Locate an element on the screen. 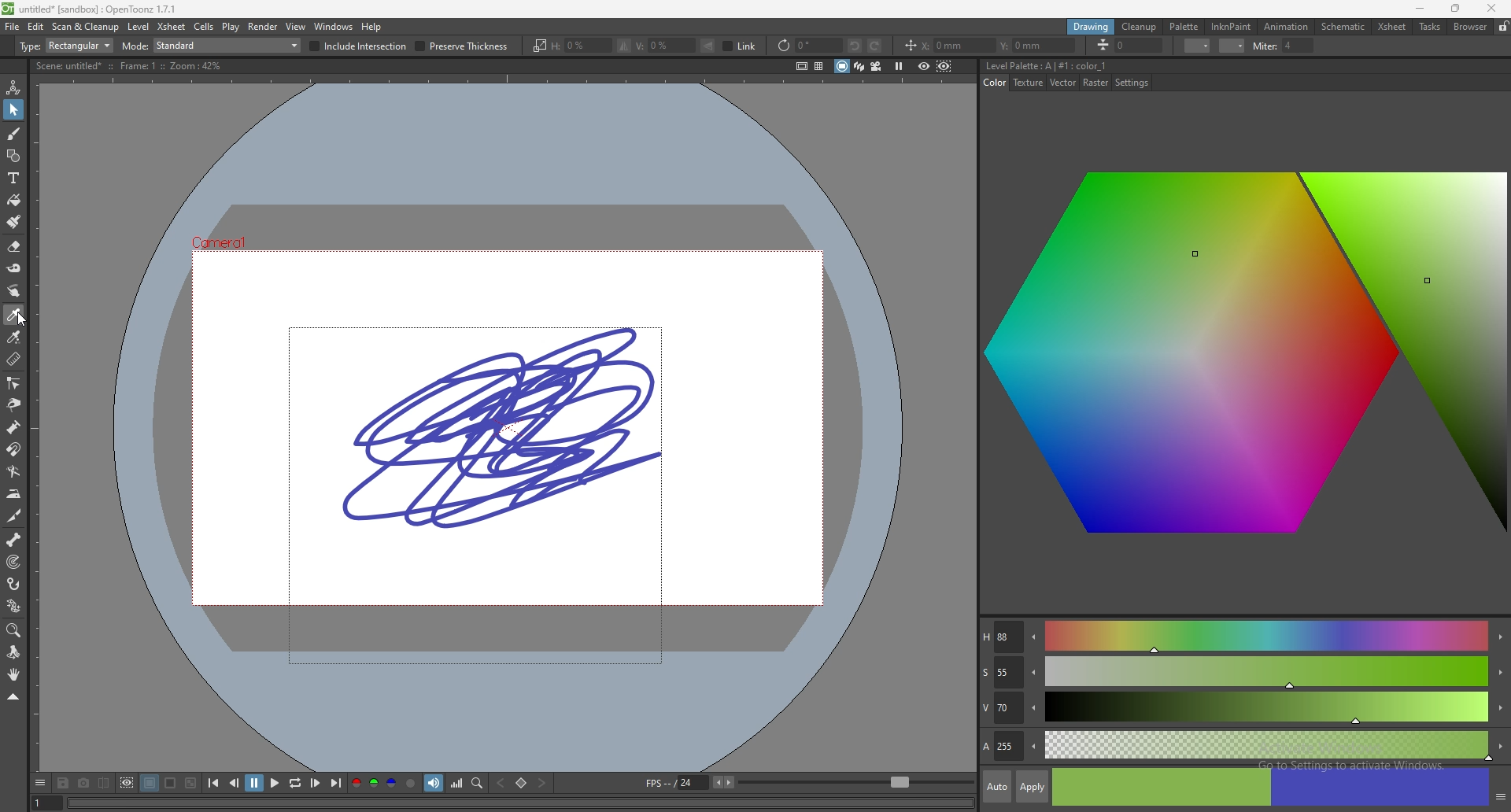  freeze is located at coordinates (899, 65).